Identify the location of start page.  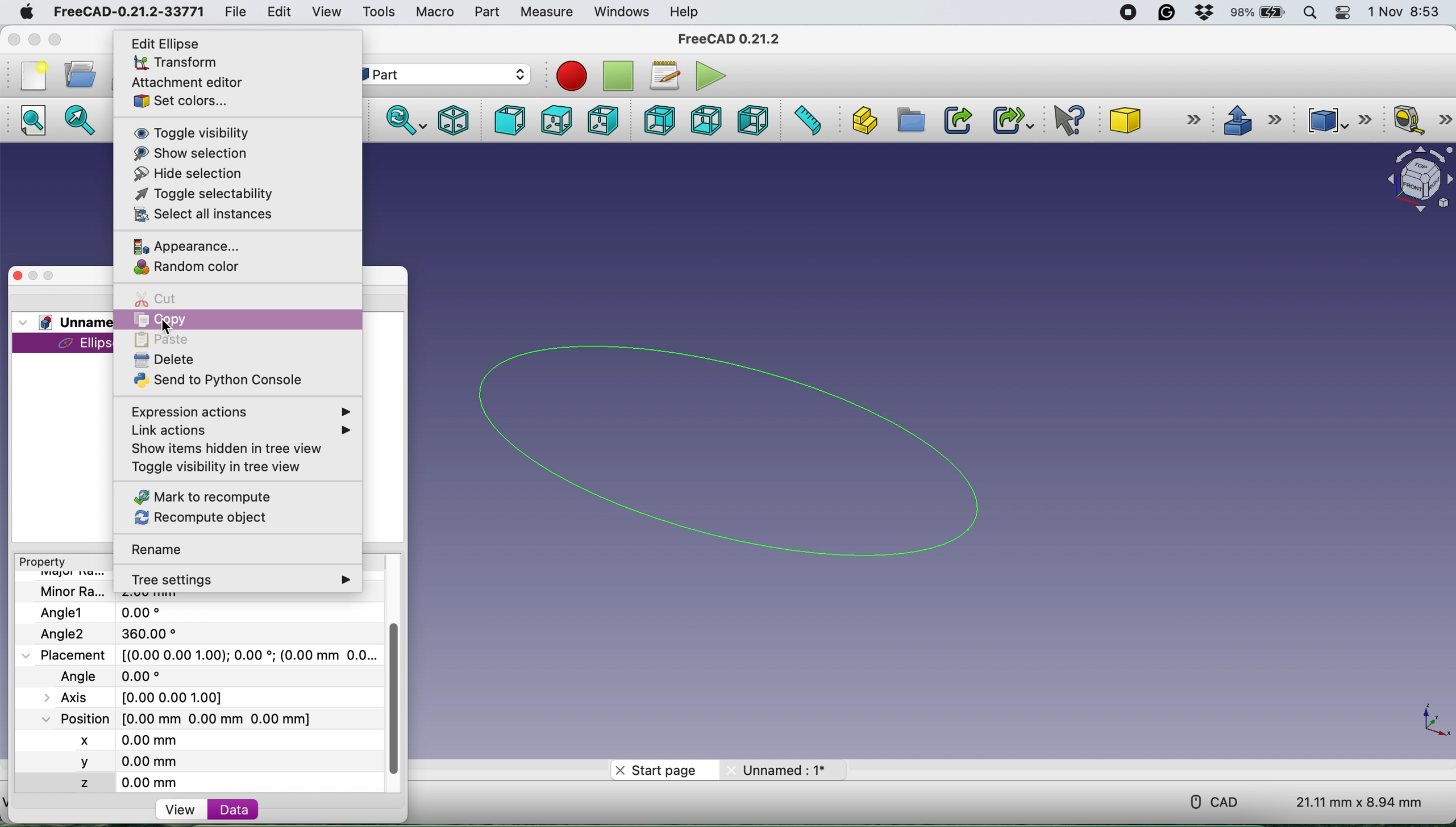
(660, 770).